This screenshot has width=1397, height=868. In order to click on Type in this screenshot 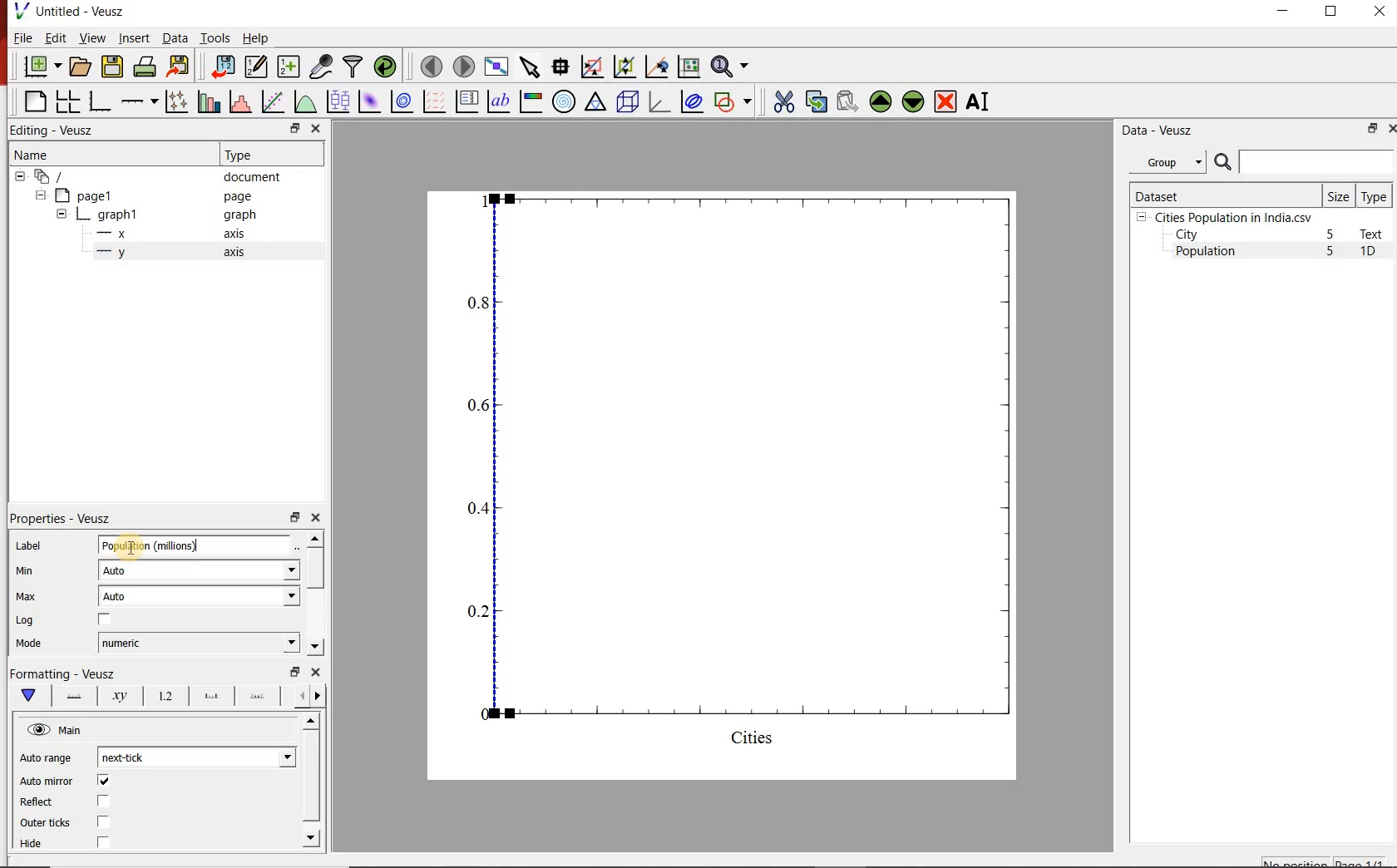, I will do `click(269, 155)`.